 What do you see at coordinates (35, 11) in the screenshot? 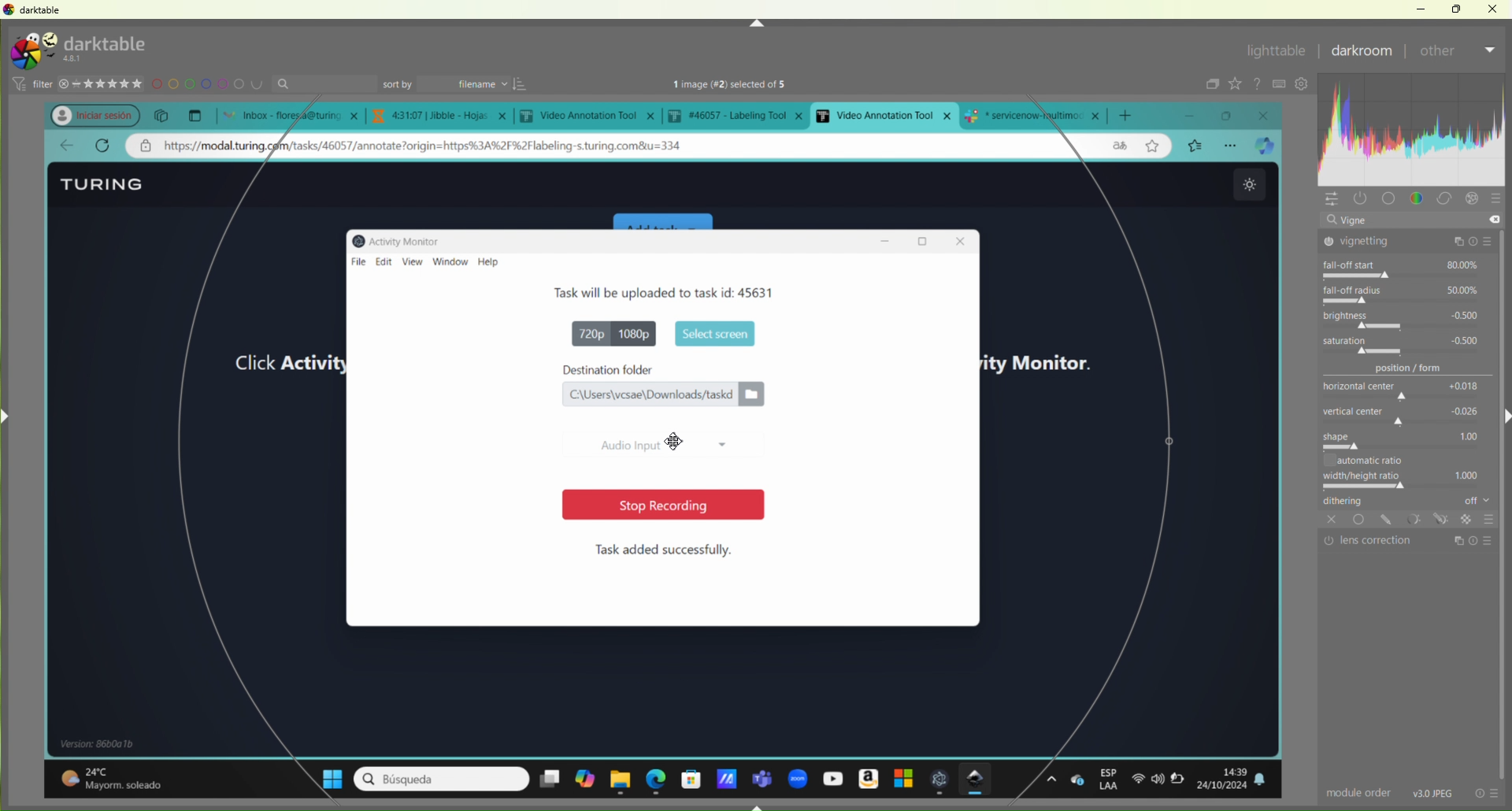
I see `darktable` at bounding box center [35, 11].